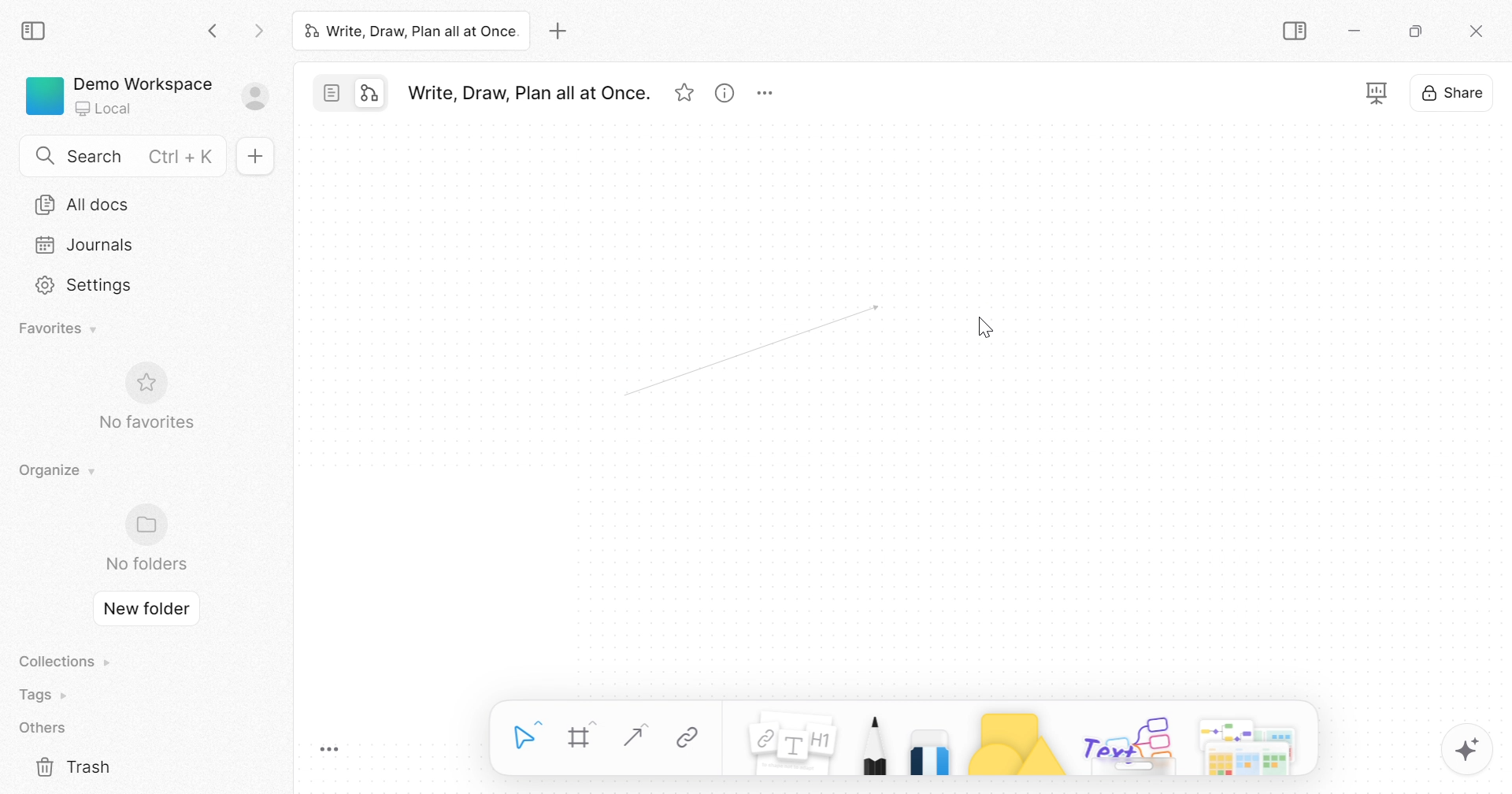 This screenshot has width=1512, height=794. Describe the element at coordinates (688, 739) in the screenshot. I see `Link` at that location.